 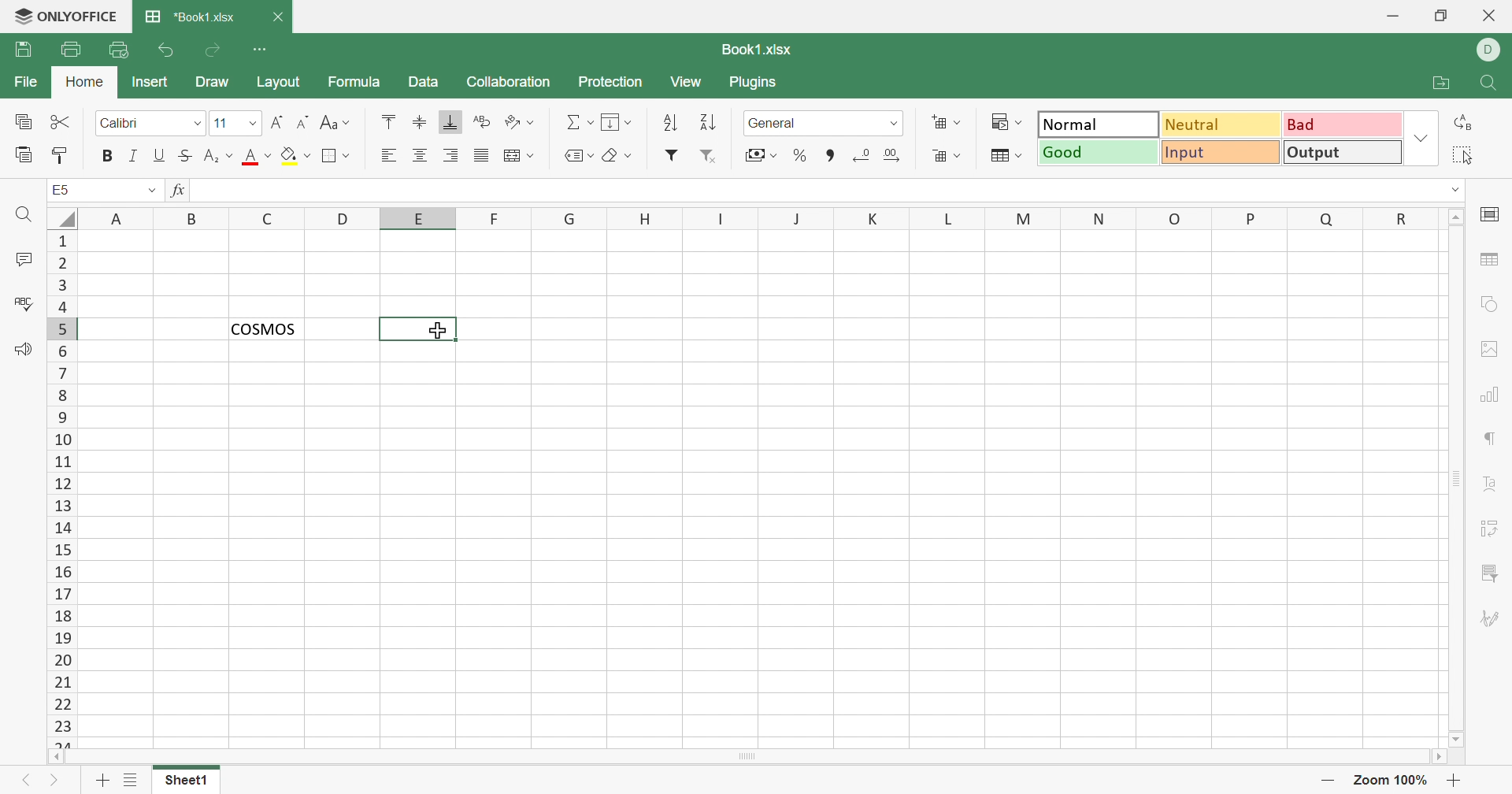 I want to click on Zoom in, so click(x=1456, y=781).